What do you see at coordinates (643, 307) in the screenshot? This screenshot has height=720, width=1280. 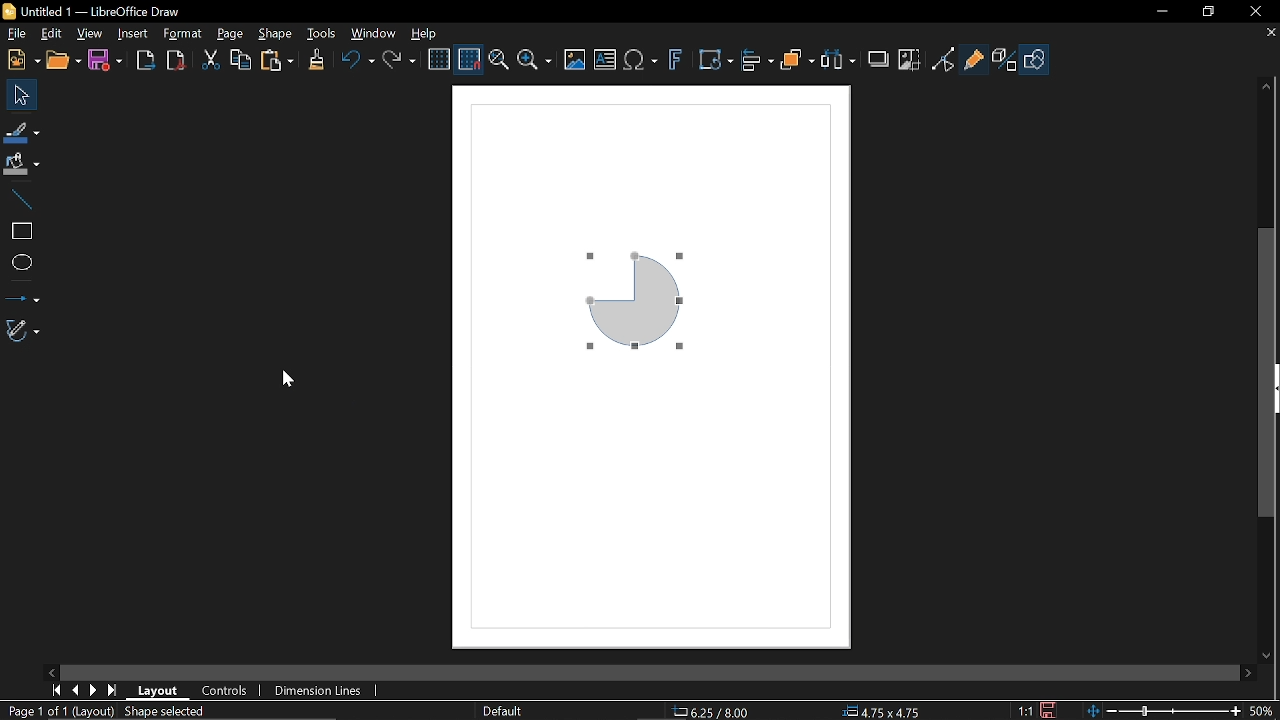 I see `Quarter Circle (Object flipped Horizontally)` at bounding box center [643, 307].